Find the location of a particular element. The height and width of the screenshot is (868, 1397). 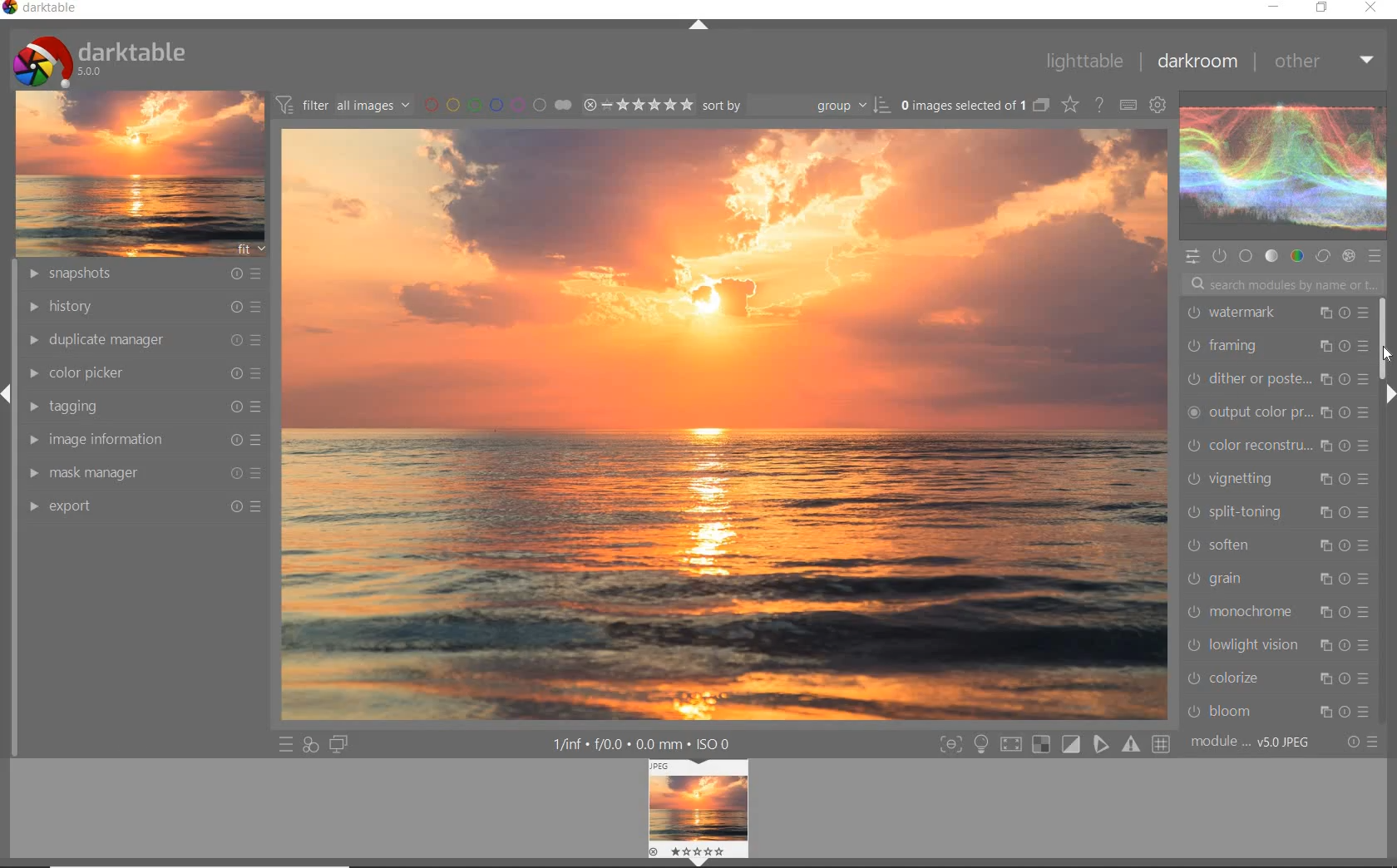

PRESET is located at coordinates (1378, 260).